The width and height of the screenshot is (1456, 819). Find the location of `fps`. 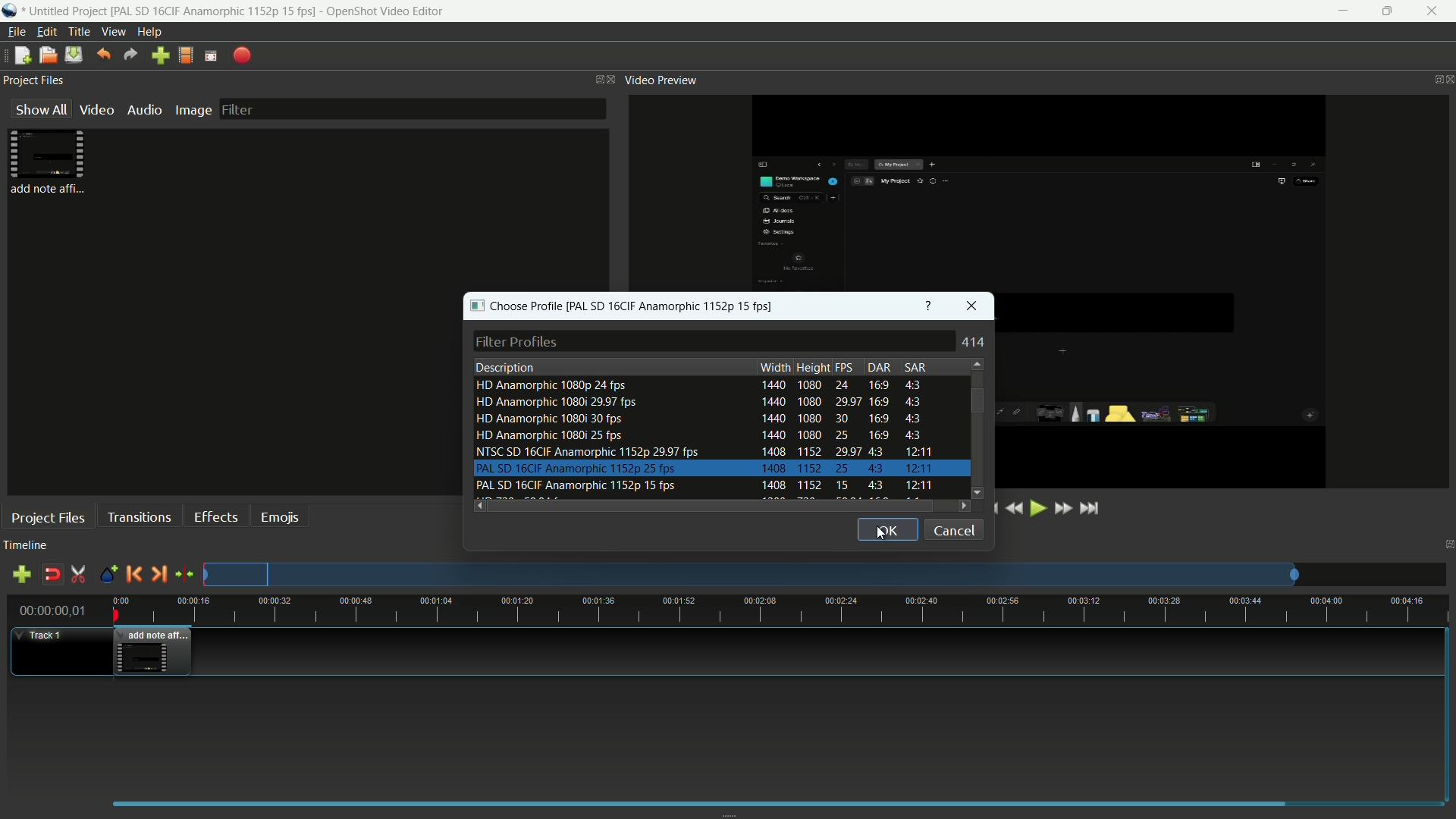

fps is located at coordinates (846, 368).